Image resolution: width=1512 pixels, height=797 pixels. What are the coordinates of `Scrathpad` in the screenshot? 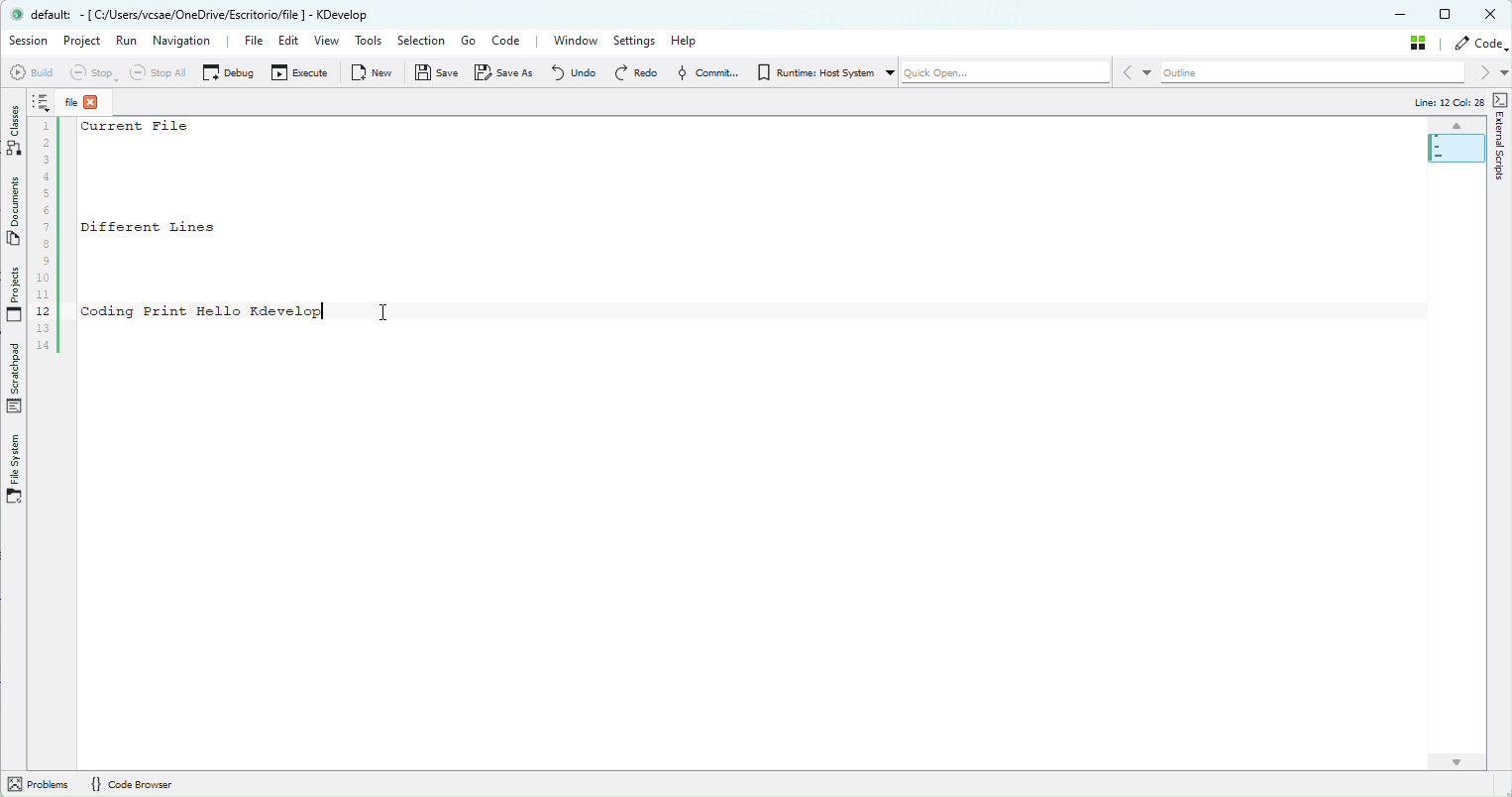 It's located at (16, 375).